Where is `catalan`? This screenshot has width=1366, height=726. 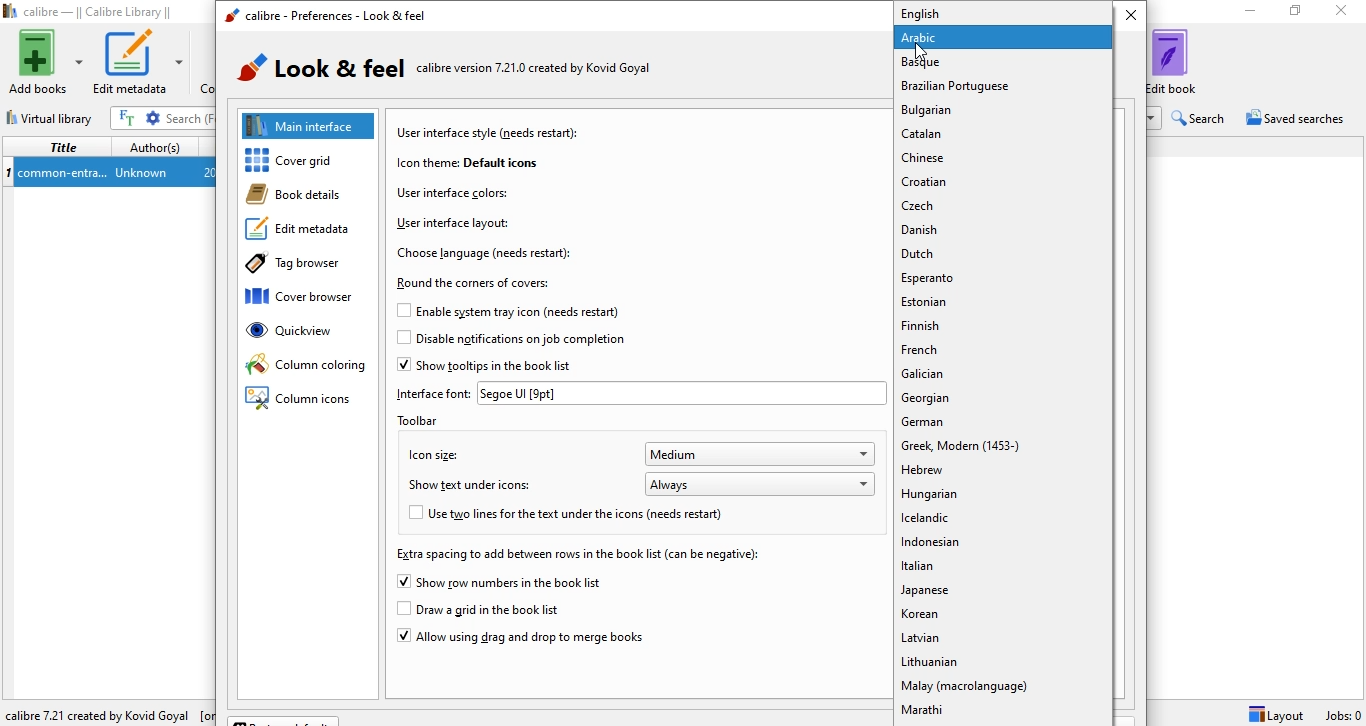
catalan is located at coordinates (1002, 133).